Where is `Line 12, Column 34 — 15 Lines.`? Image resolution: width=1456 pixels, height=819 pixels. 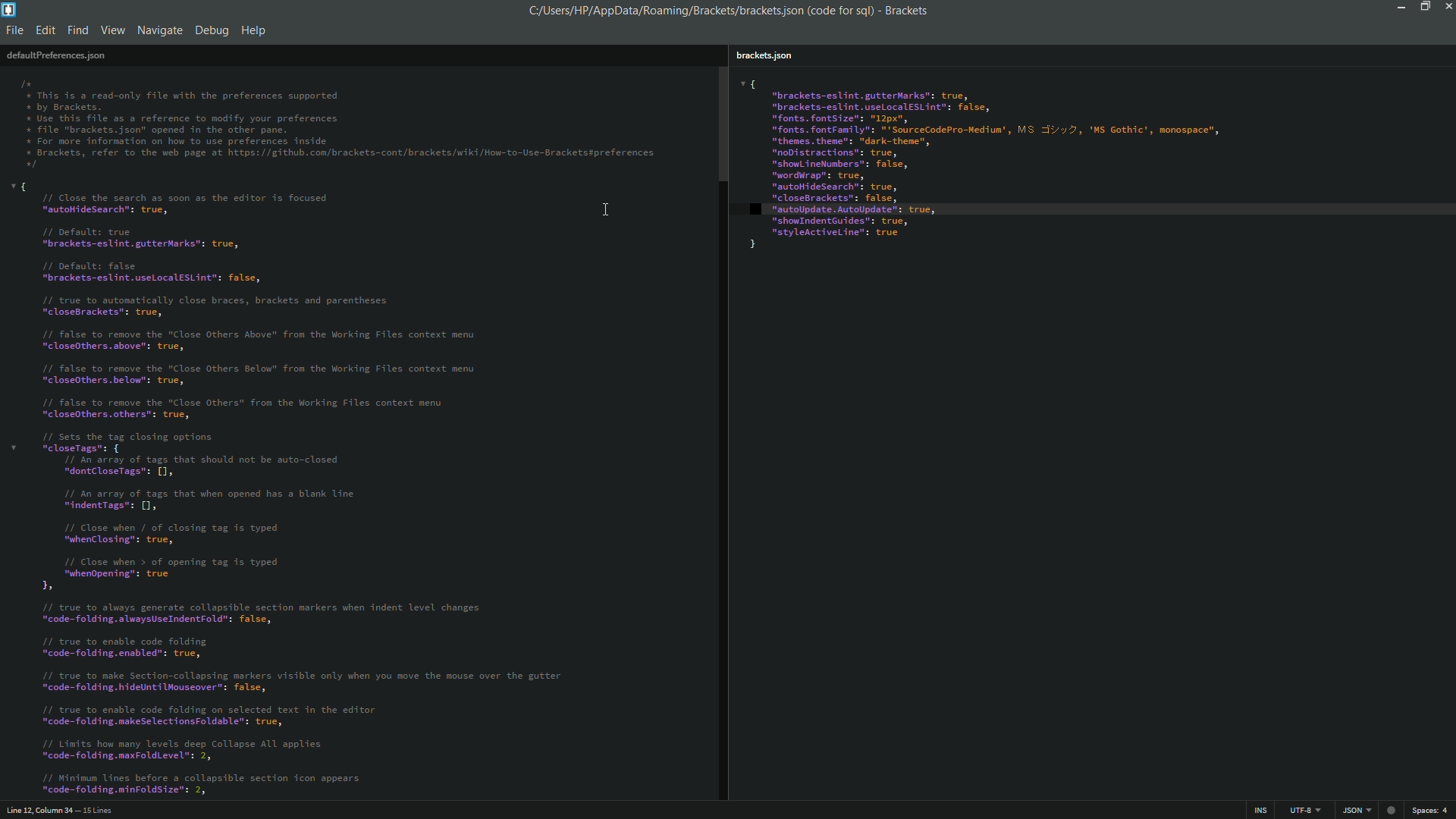 Line 12, Column 34 — 15 Lines. is located at coordinates (58, 808).